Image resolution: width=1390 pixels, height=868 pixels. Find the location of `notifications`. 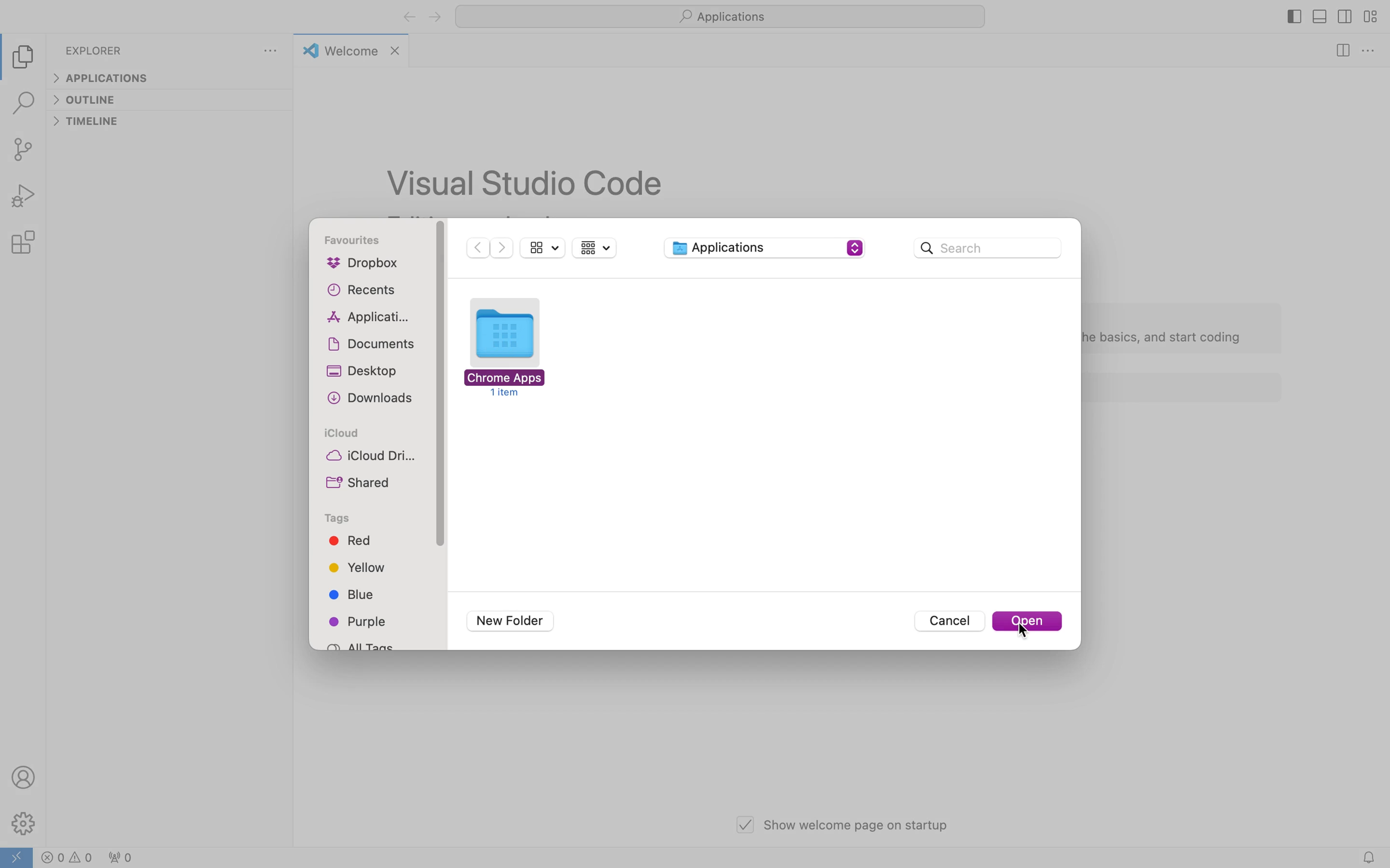

notifications is located at coordinates (1368, 857).